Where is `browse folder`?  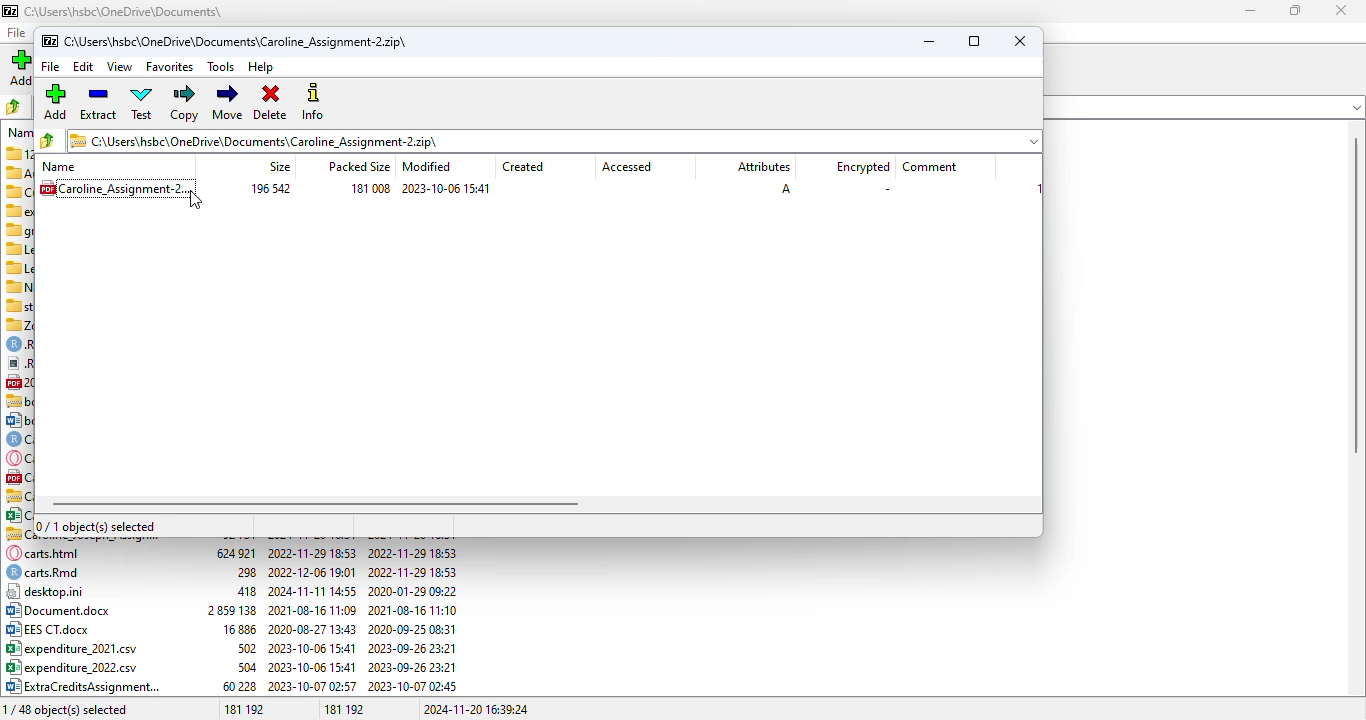
browse folder is located at coordinates (45, 141).